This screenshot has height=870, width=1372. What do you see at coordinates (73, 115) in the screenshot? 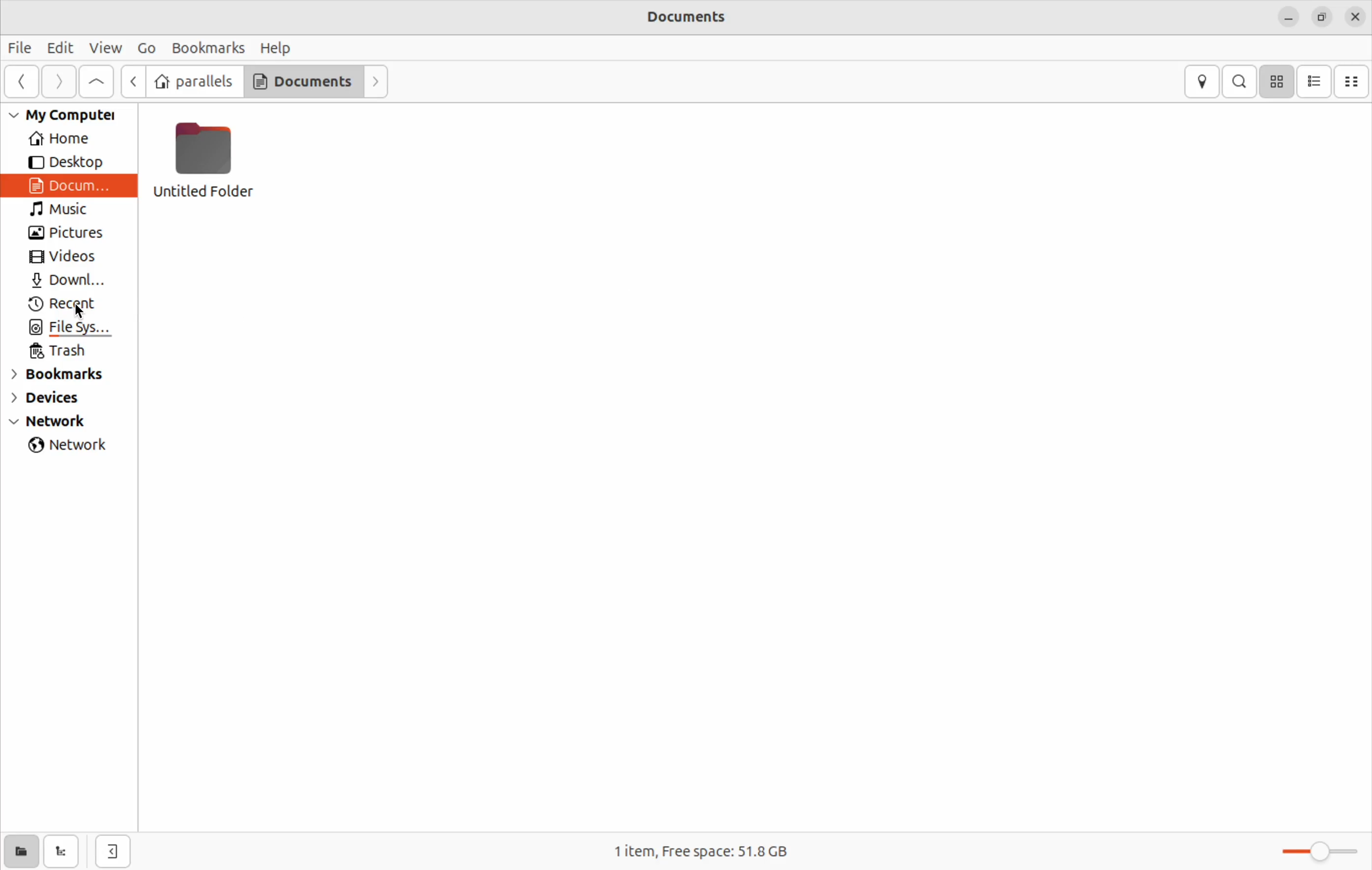
I see `my computer` at bounding box center [73, 115].